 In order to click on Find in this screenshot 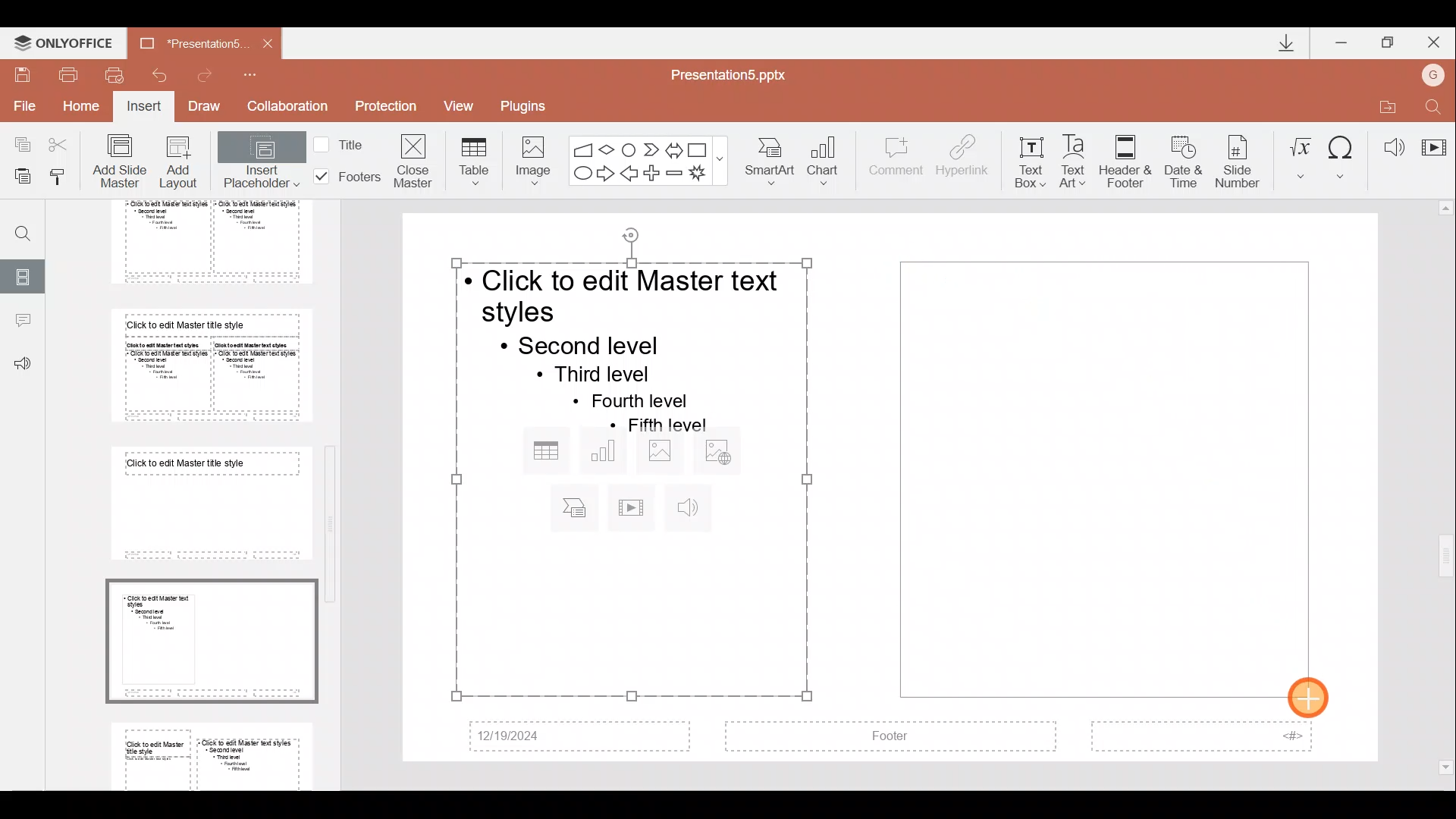, I will do `click(1435, 104)`.